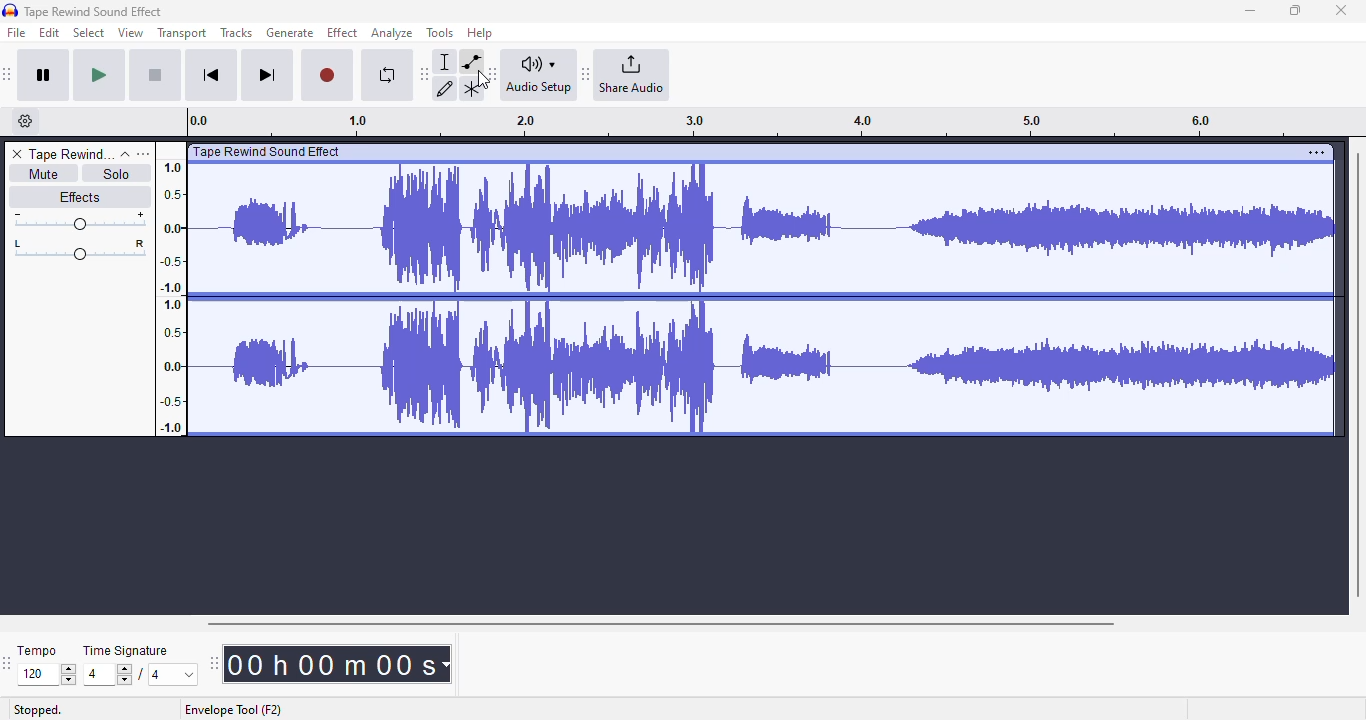  Describe the element at coordinates (633, 75) in the screenshot. I see `share audio` at that location.